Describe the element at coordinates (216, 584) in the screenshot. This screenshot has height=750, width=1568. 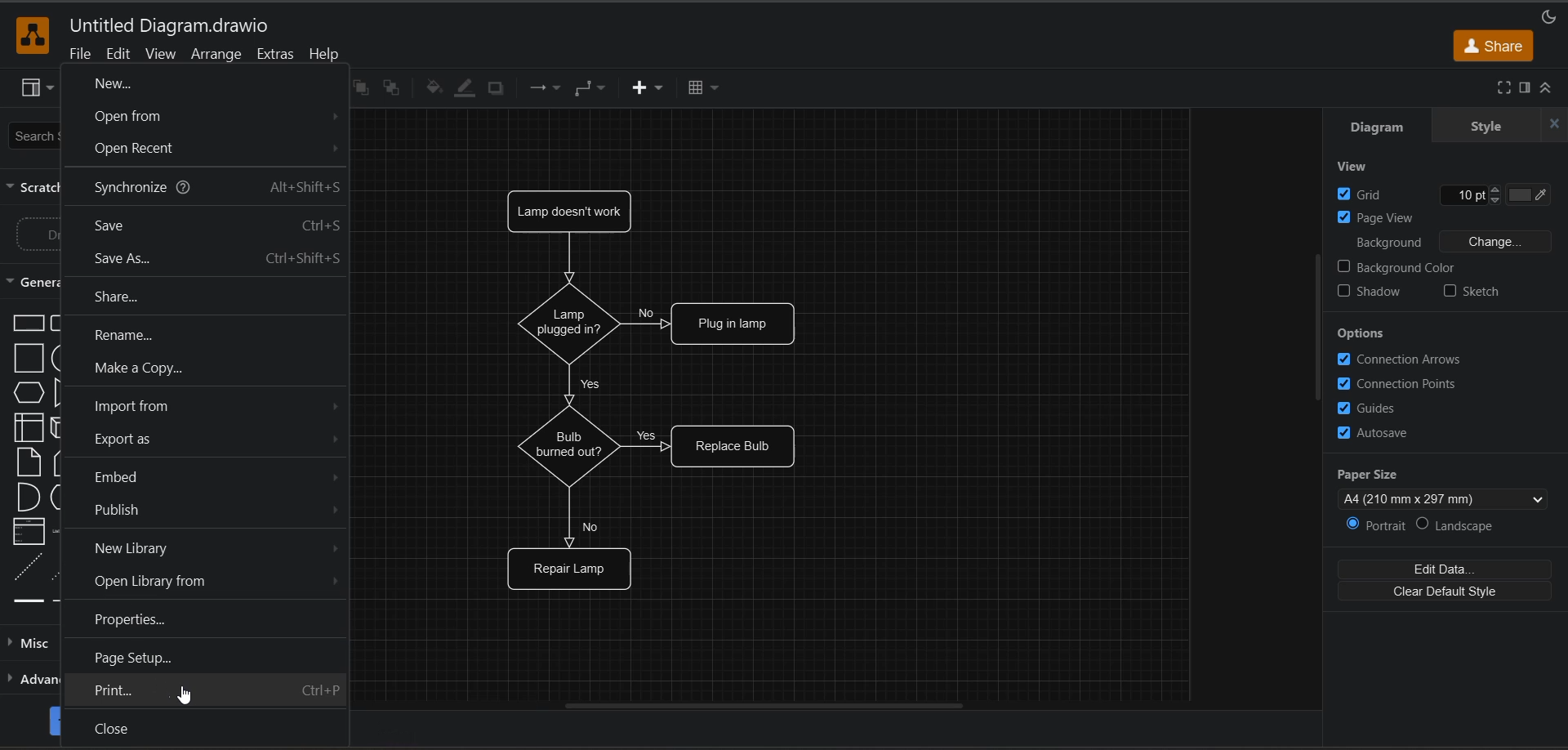
I see `open library from` at that location.